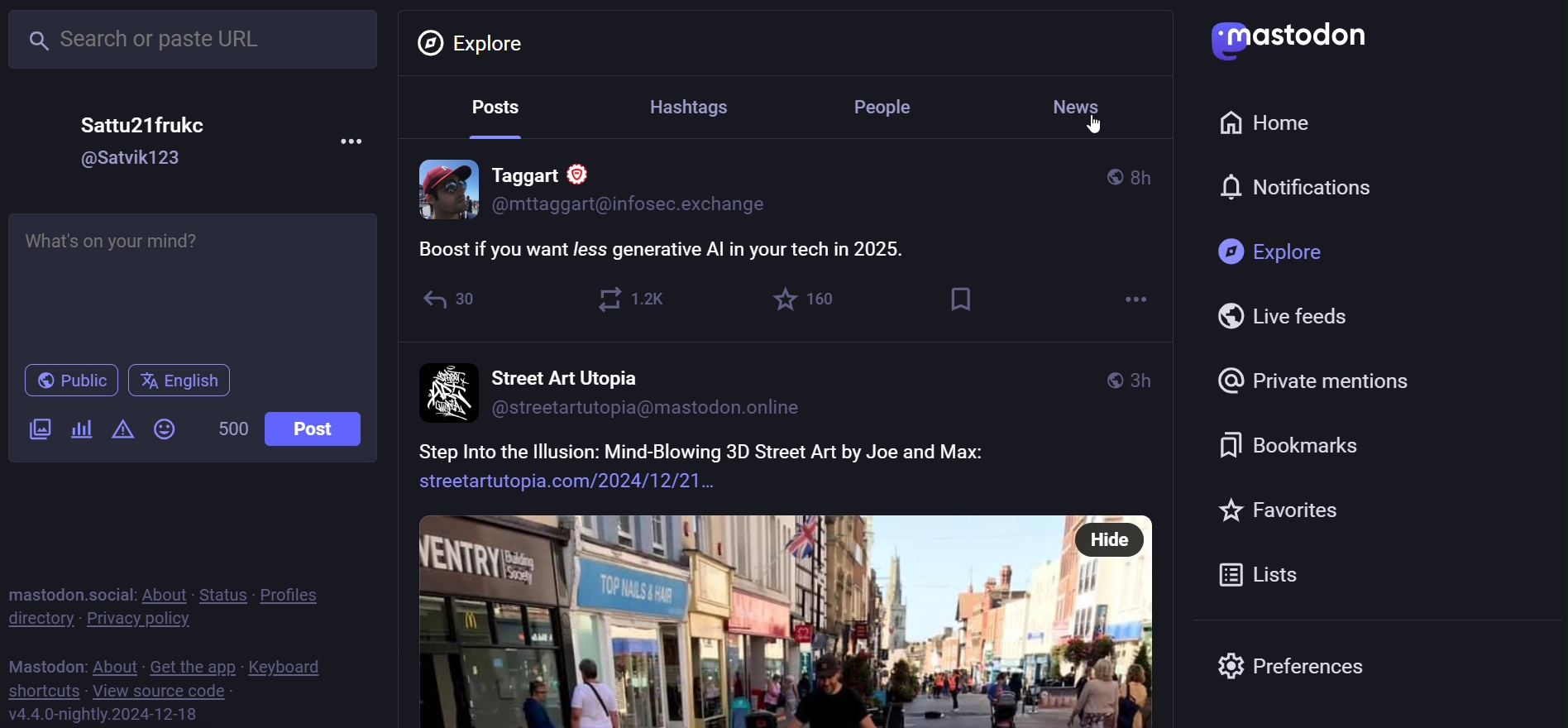 Image resolution: width=1568 pixels, height=728 pixels. What do you see at coordinates (1150, 171) in the screenshot?
I see `8h` at bounding box center [1150, 171].